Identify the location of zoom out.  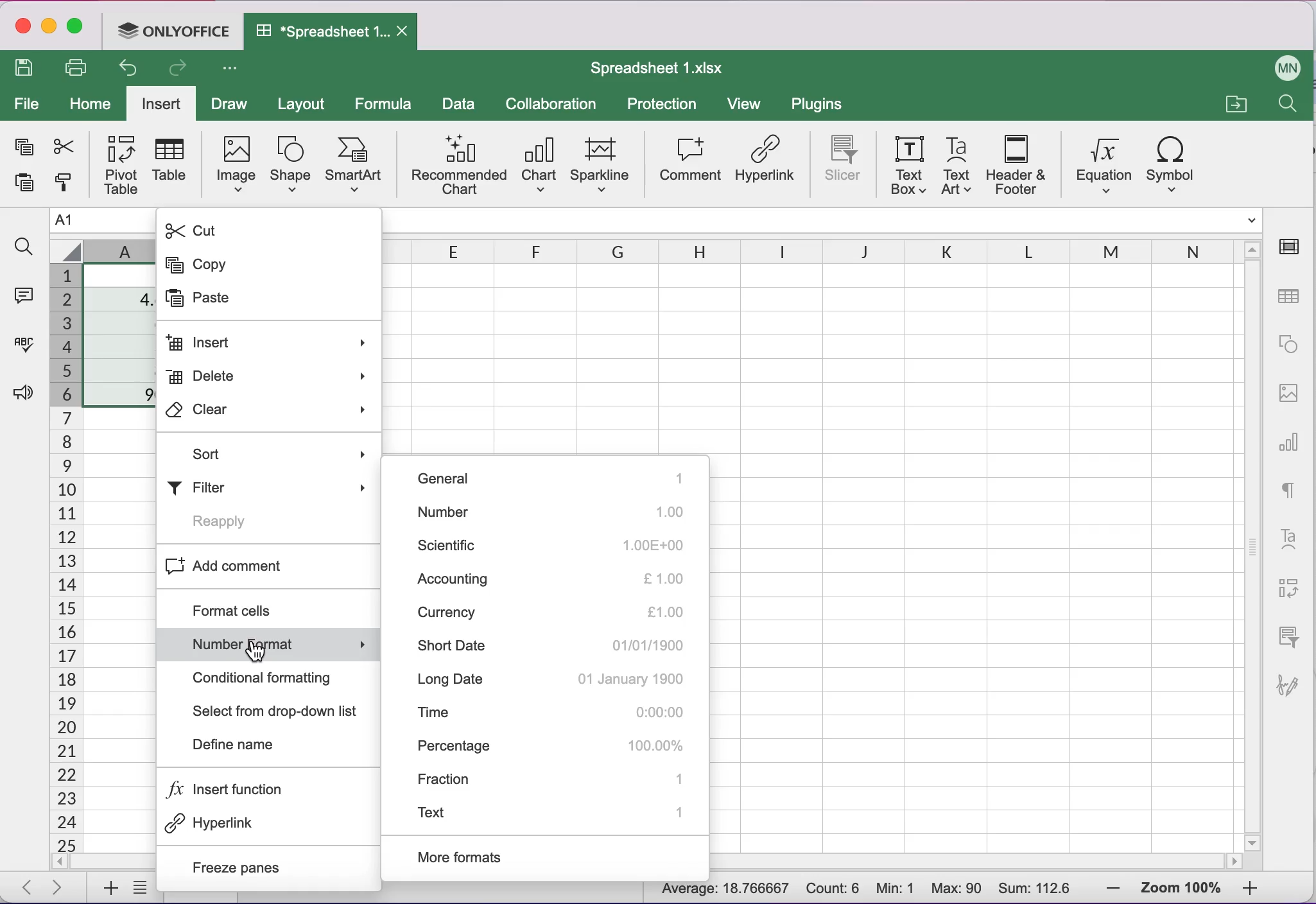
(1105, 887).